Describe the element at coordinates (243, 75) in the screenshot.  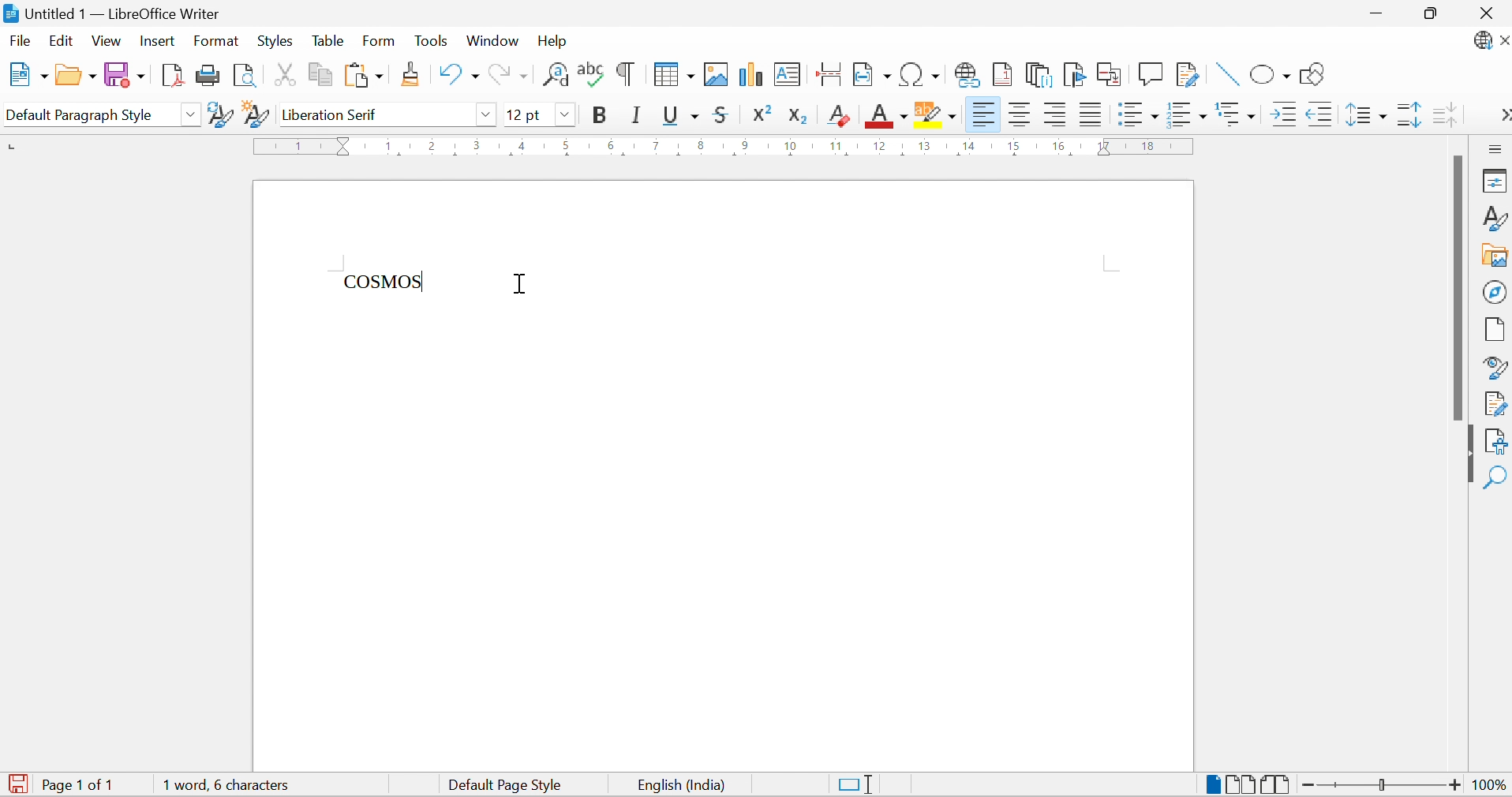
I see `Toggle Print Preview` at that location.